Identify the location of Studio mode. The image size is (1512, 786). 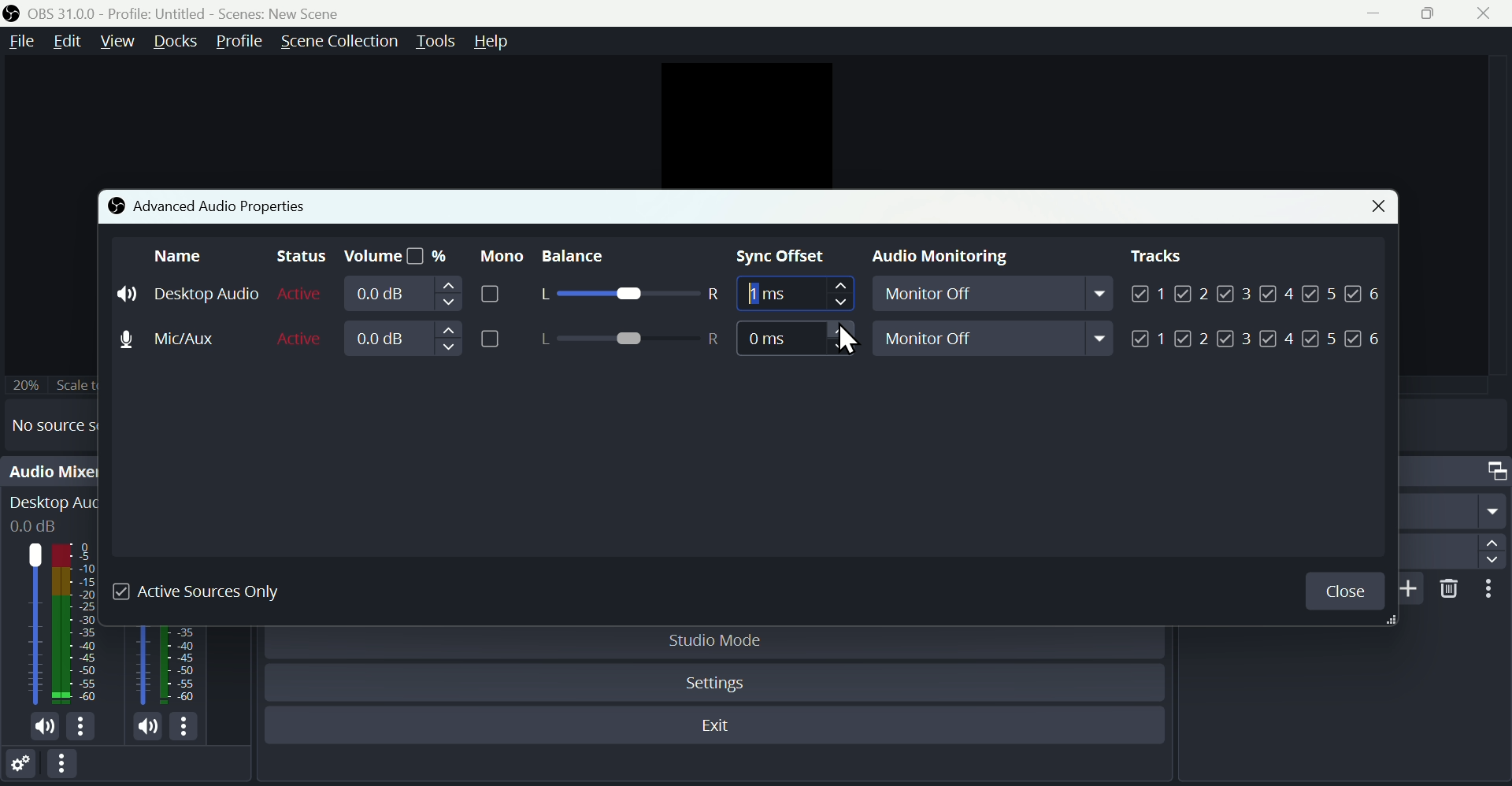
(717, 640).